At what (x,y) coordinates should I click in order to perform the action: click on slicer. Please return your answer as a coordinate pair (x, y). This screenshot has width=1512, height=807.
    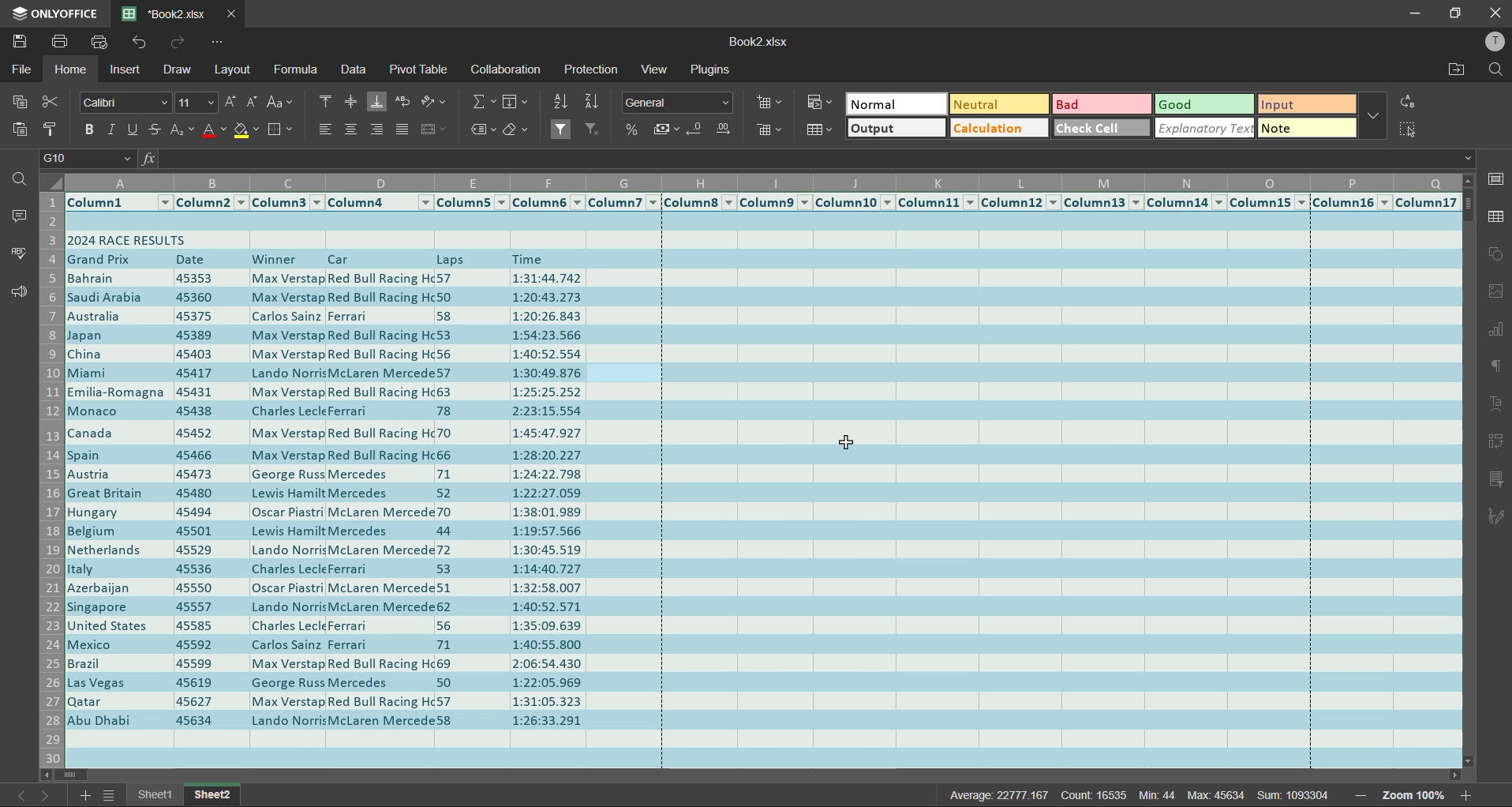
    Looking at the image, I should click on (1497, 479).